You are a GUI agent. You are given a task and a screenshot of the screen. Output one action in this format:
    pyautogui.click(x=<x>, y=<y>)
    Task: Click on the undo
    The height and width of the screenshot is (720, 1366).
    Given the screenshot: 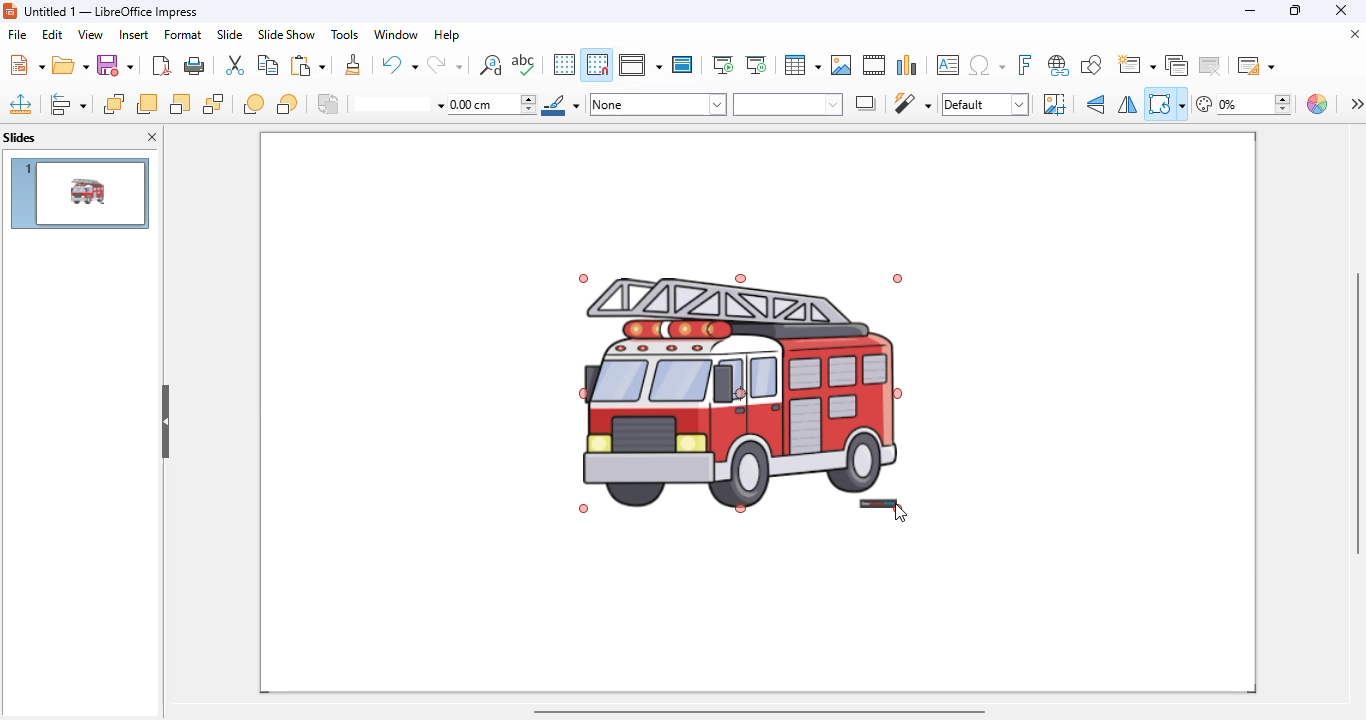 What is the action you would take?
    pyautogui.click(x=398, y=63)
    